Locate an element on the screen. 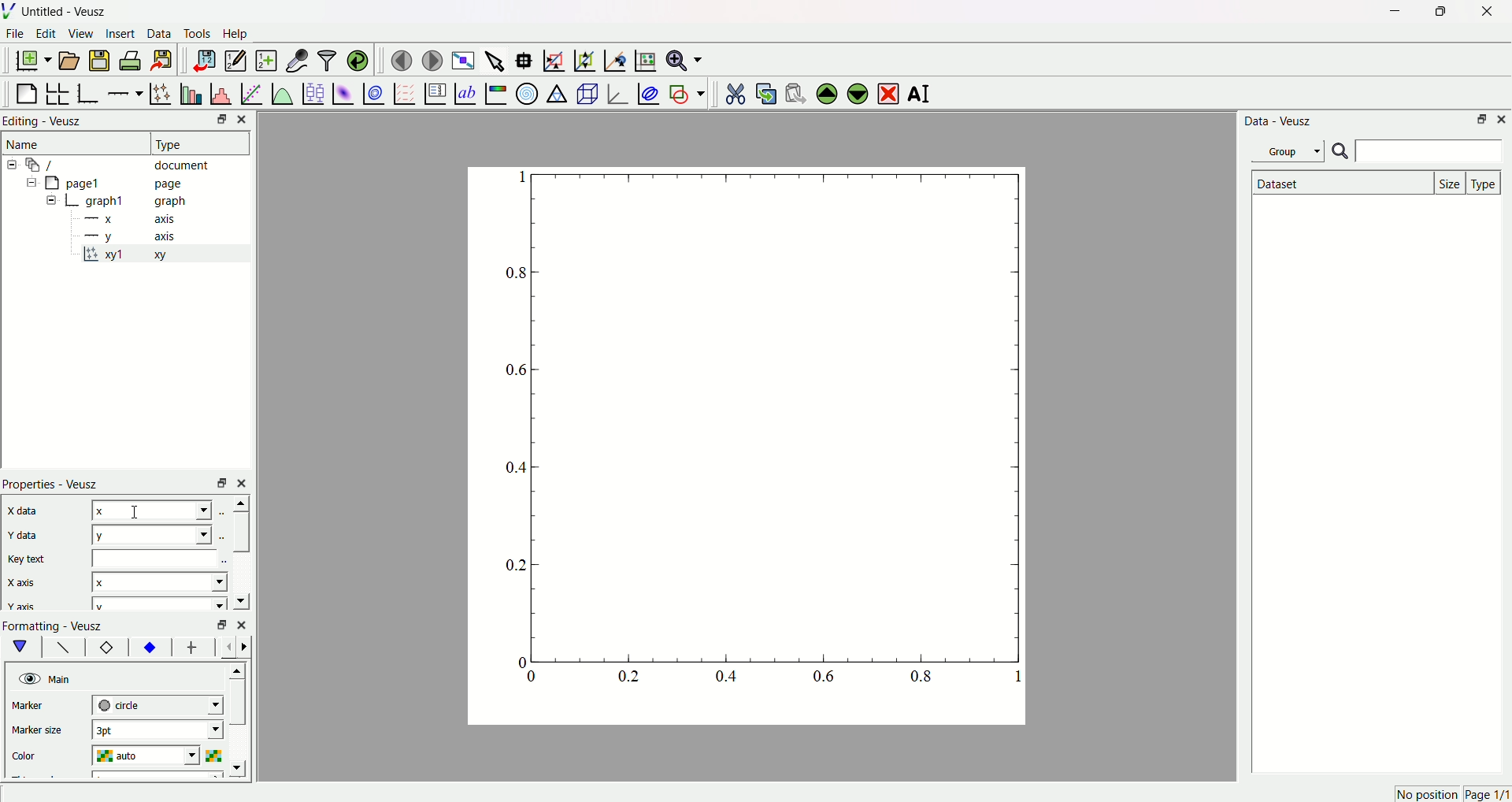  move left is located at coordinates (230, 647).